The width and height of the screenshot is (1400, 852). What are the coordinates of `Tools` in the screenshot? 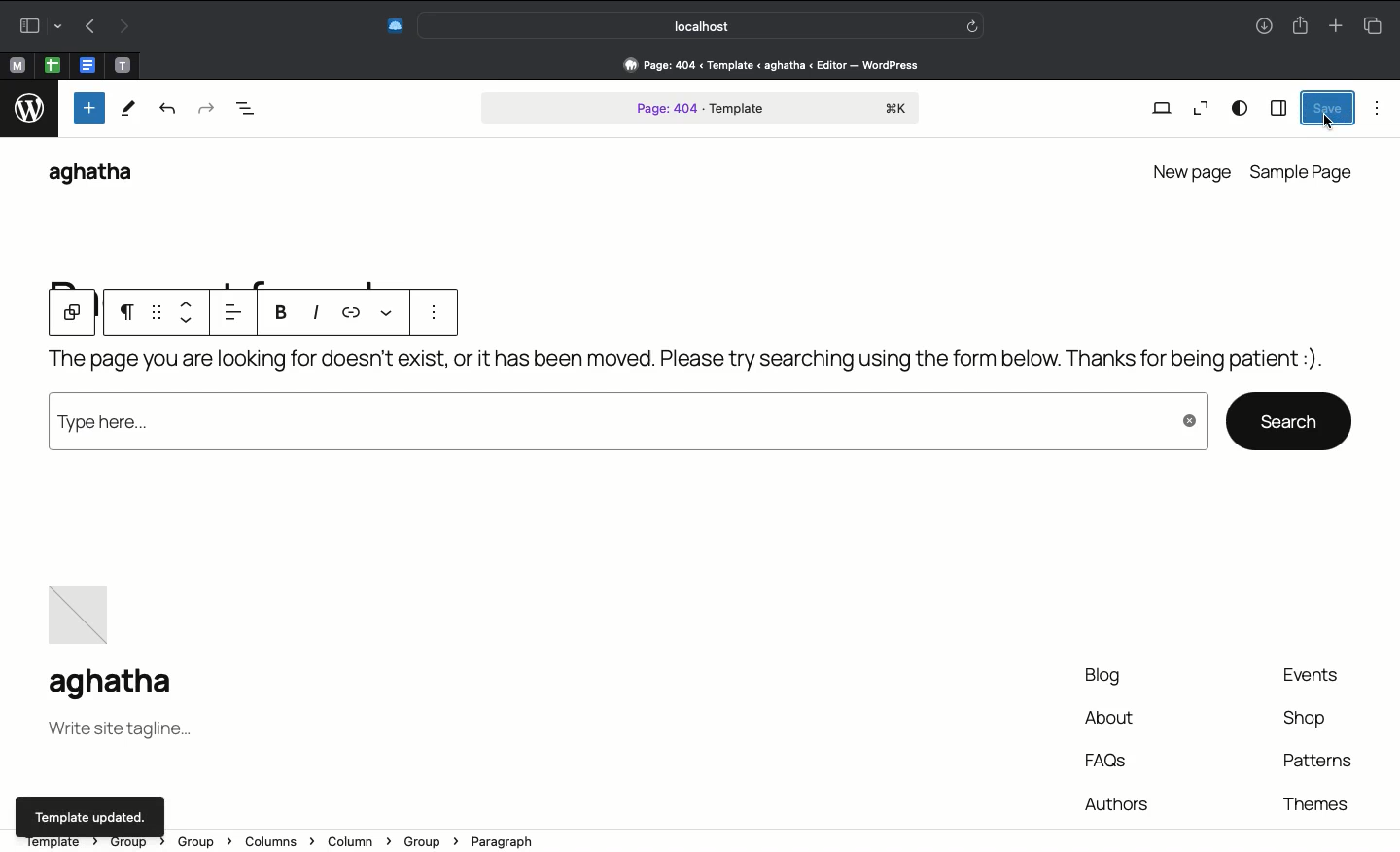 It's located at (127, 109).